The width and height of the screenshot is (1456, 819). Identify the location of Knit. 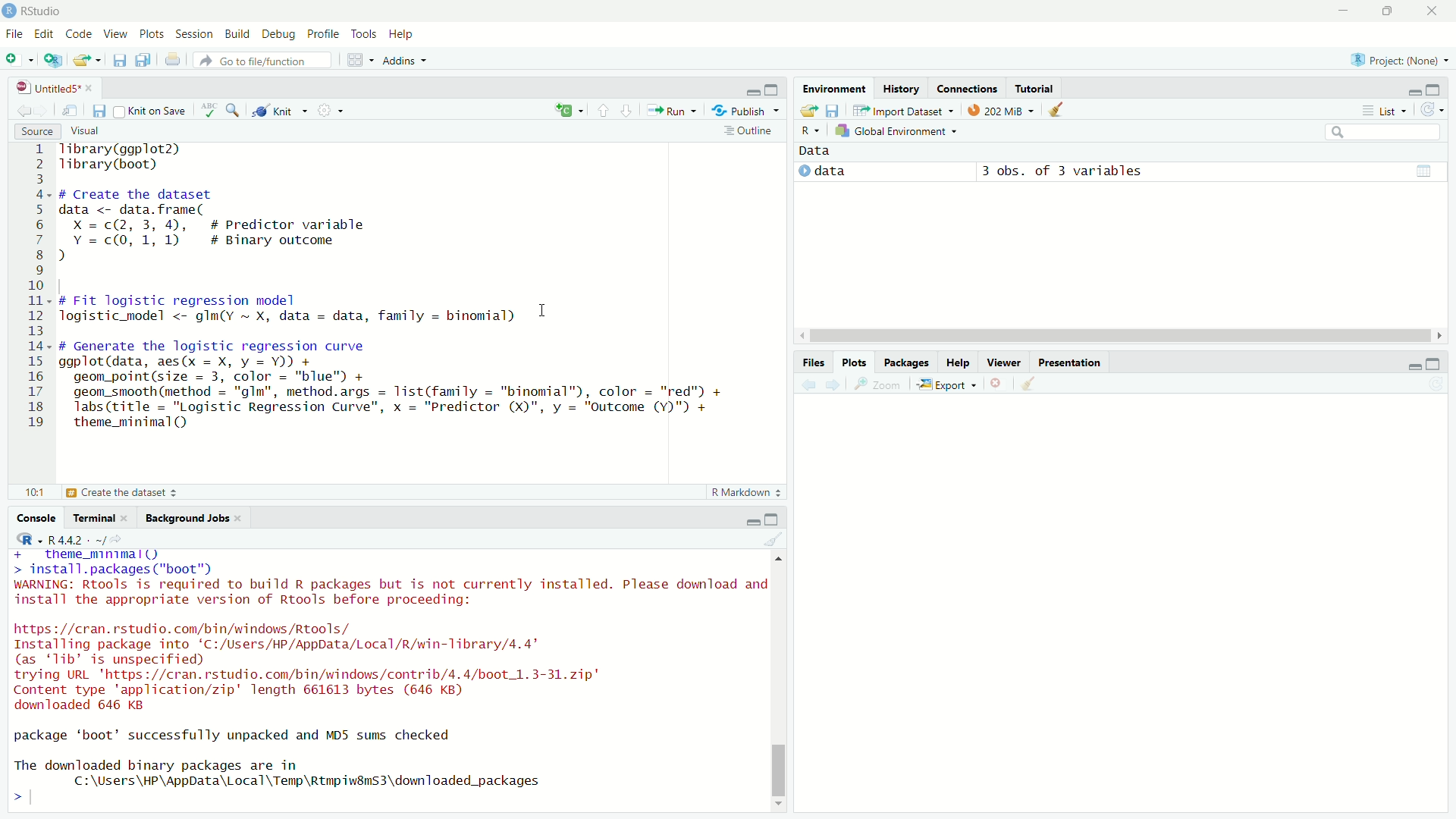
(280, 110).